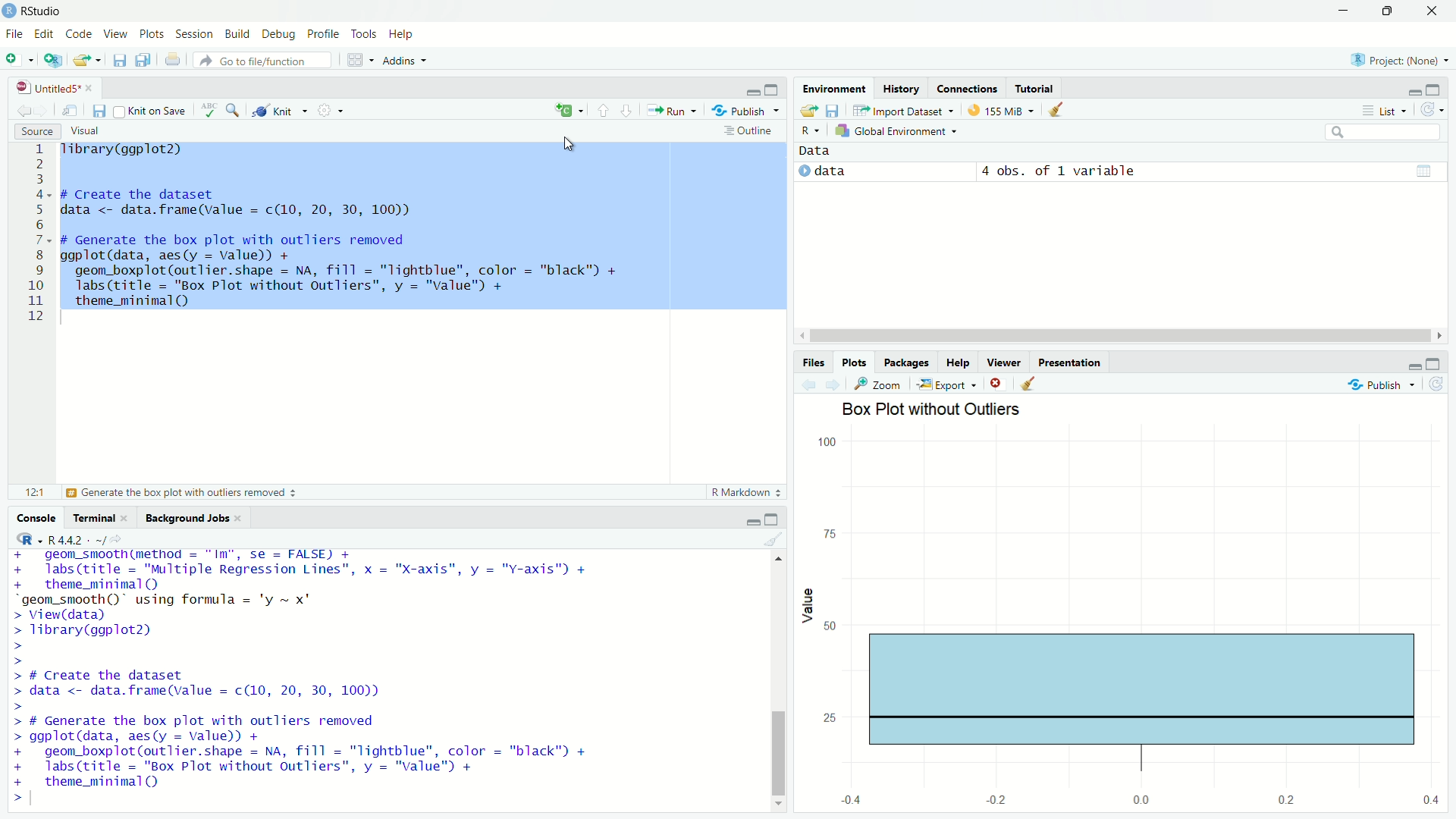  I want to click on R447 . ~/, so click(62, 537).